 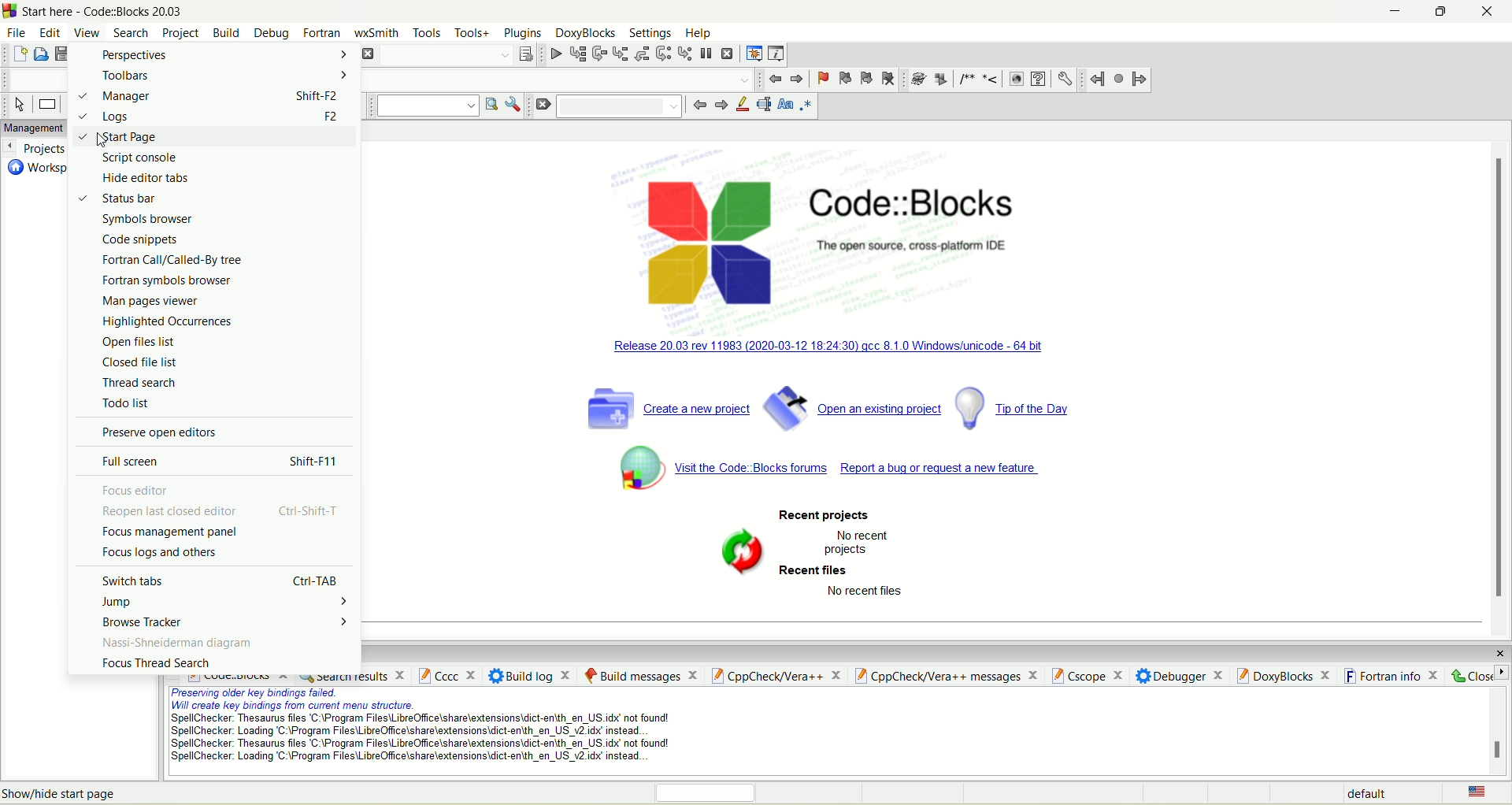 I want to click on abort, so click(x=368, y=54).